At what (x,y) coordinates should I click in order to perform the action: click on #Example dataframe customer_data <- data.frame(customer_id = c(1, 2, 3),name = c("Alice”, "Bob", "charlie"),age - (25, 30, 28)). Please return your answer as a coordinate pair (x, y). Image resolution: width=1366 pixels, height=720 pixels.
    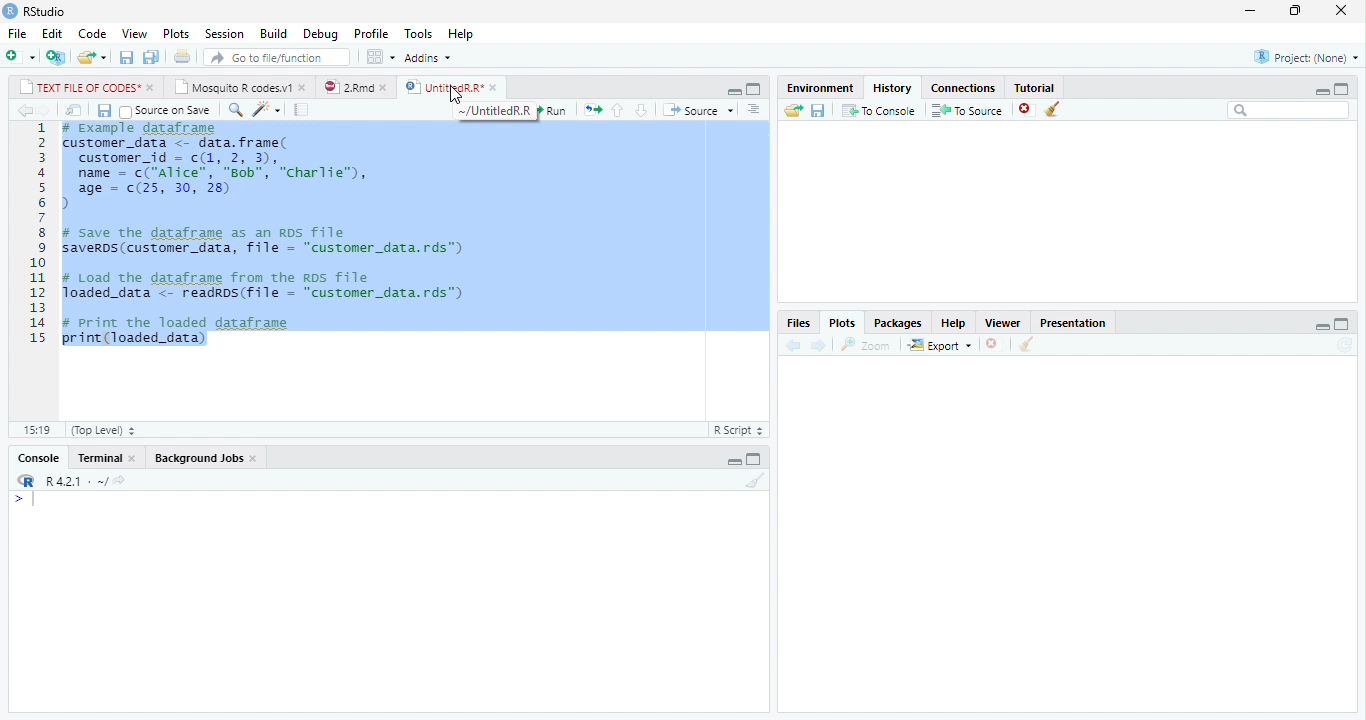
    Looking at the image, I should click on (223, 167).